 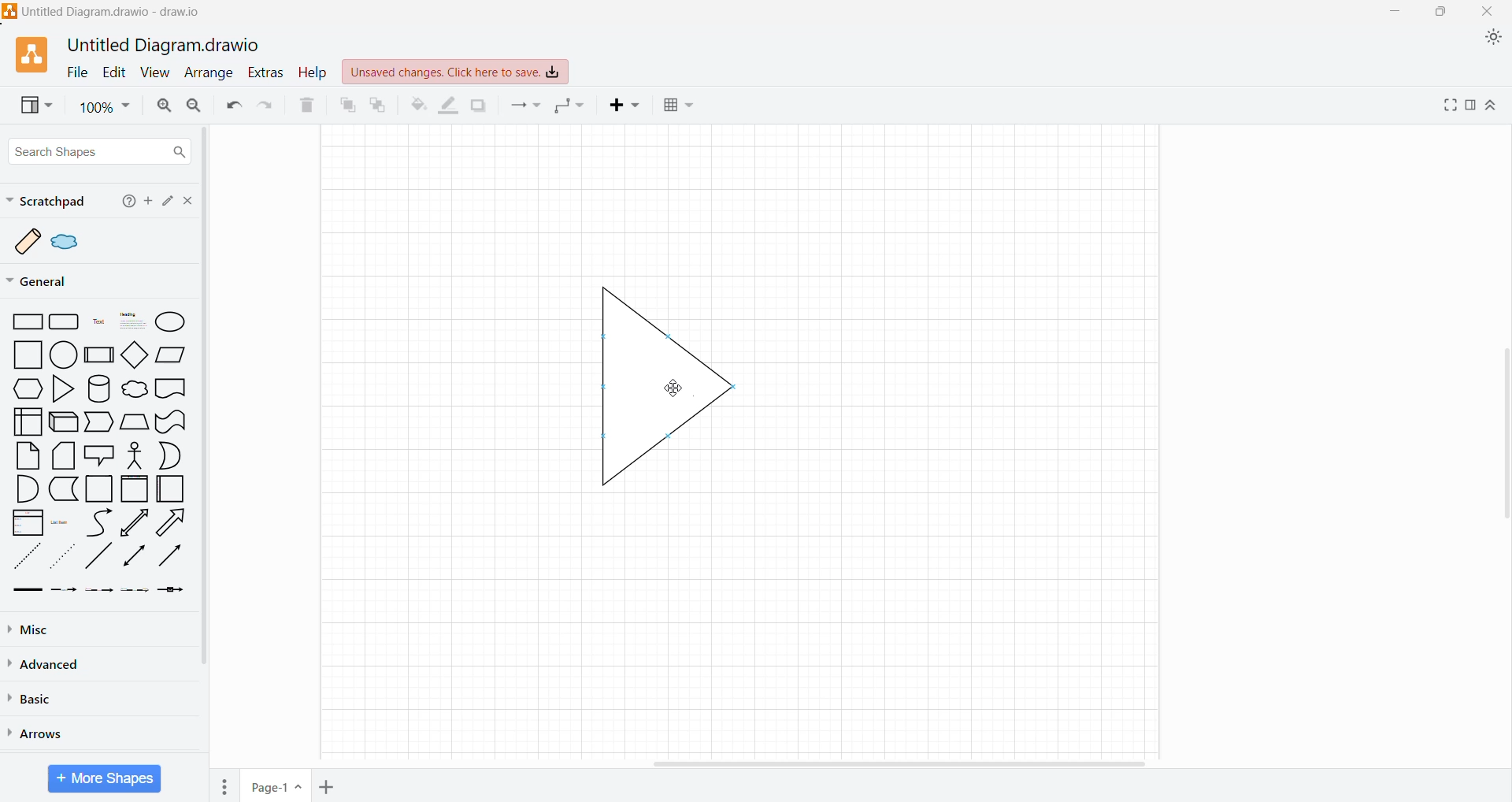 What do you see at coordinates (47, 200) in the screenshot?
I see `Scratchpad` at bounding box center [47, 200].